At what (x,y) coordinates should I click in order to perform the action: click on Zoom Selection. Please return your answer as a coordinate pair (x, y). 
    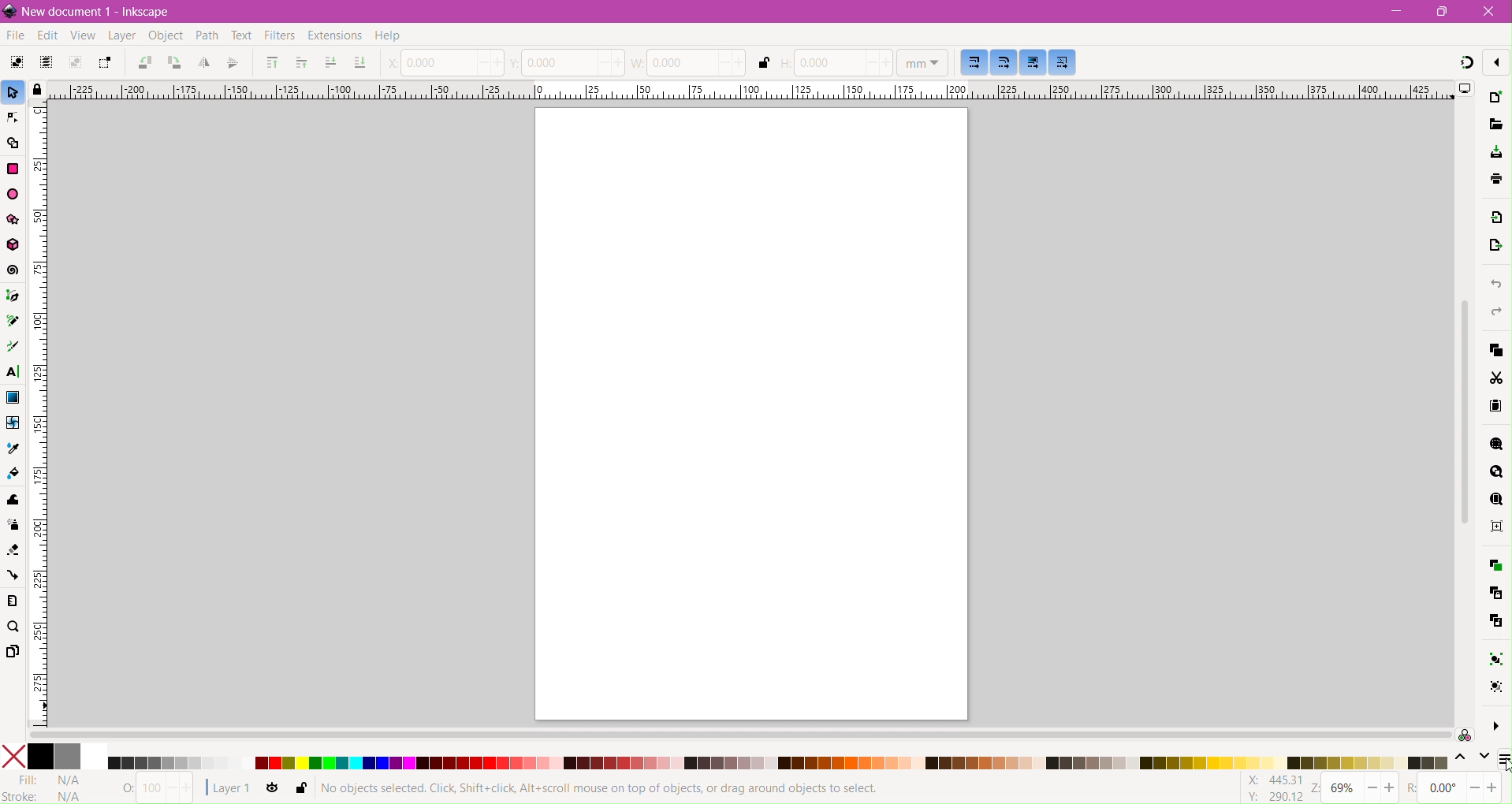
    Looking at the image, I should click on (1494, 445).